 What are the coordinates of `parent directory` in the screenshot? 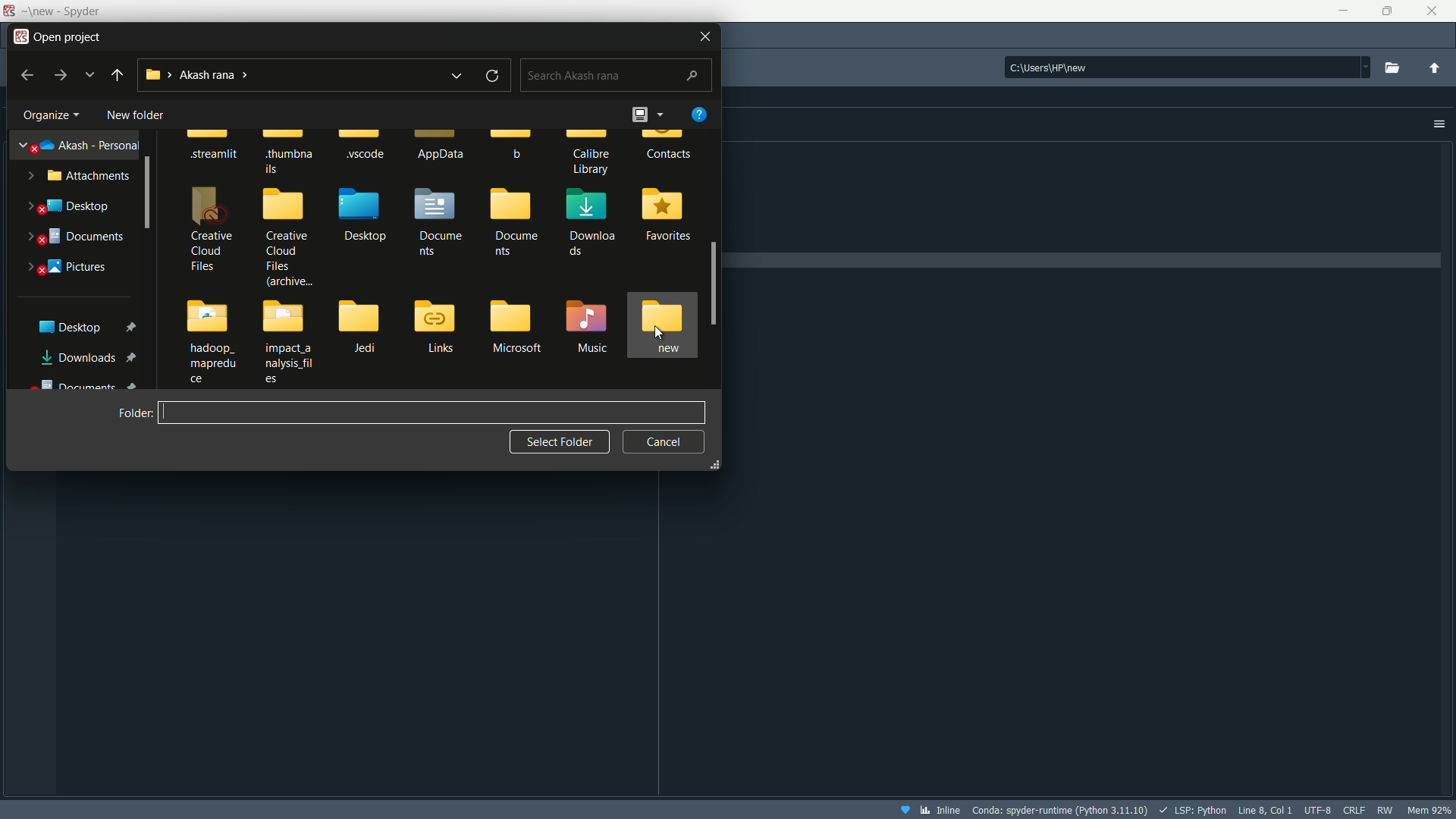 It's located at (1435, 69).